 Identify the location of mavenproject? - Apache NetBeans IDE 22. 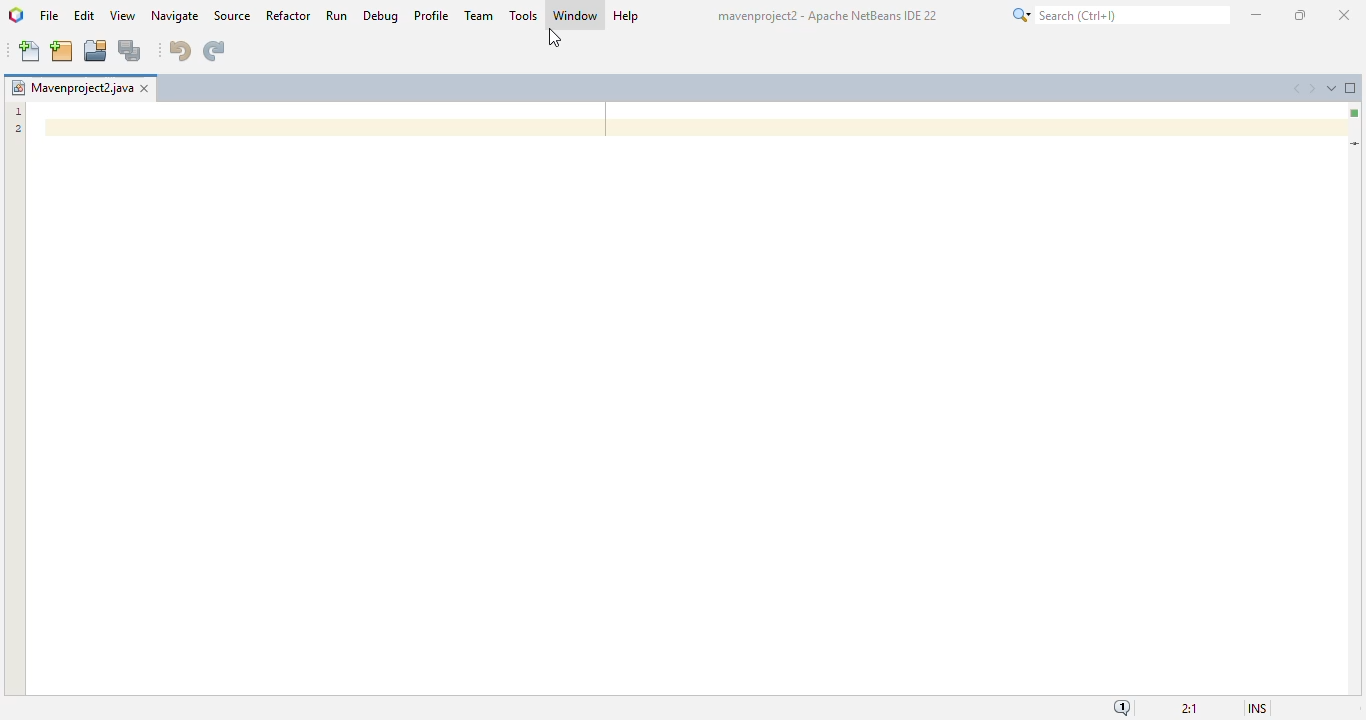
(828, 19).